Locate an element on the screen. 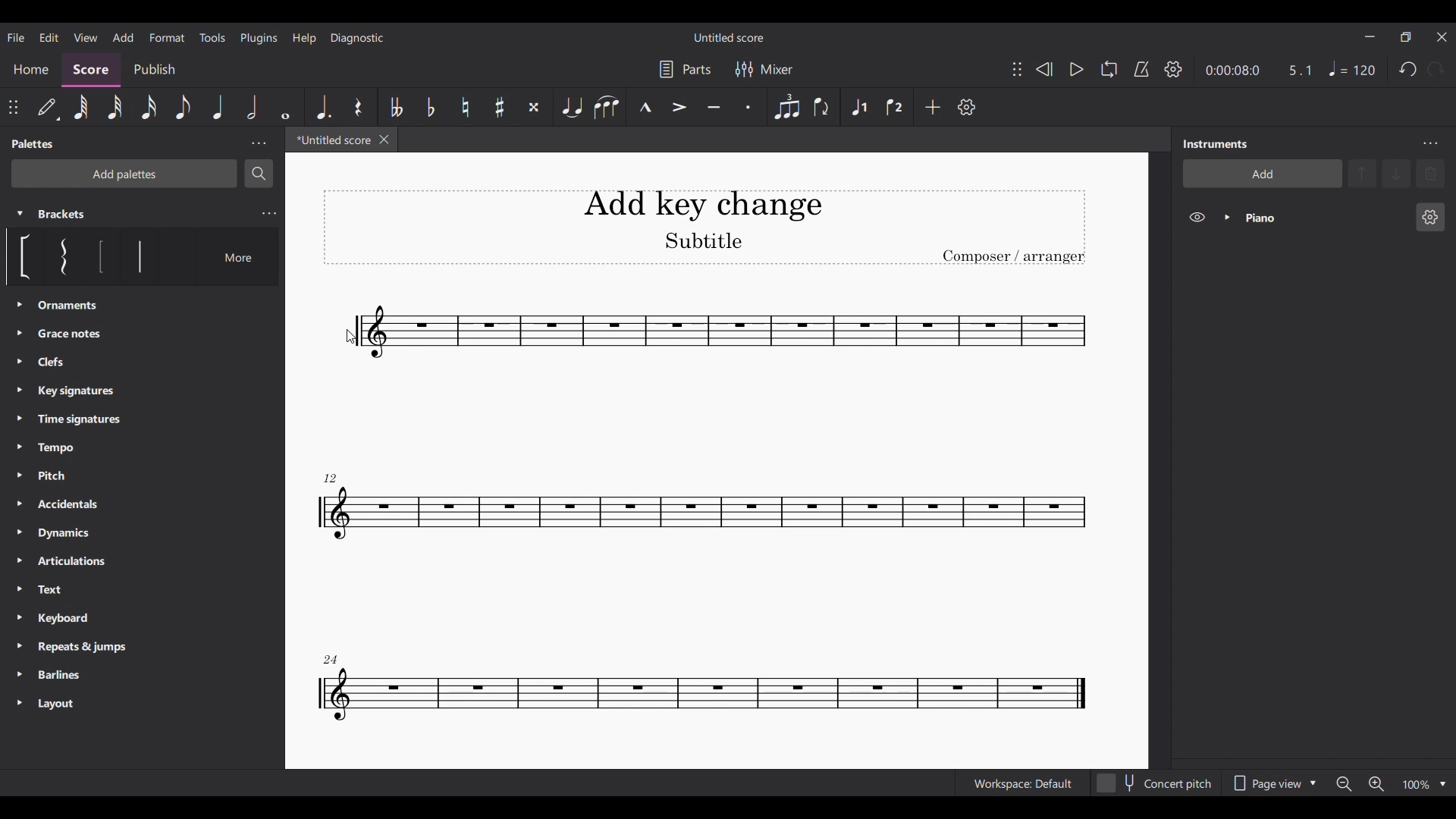  Accent is located at coordinates (679, 105).